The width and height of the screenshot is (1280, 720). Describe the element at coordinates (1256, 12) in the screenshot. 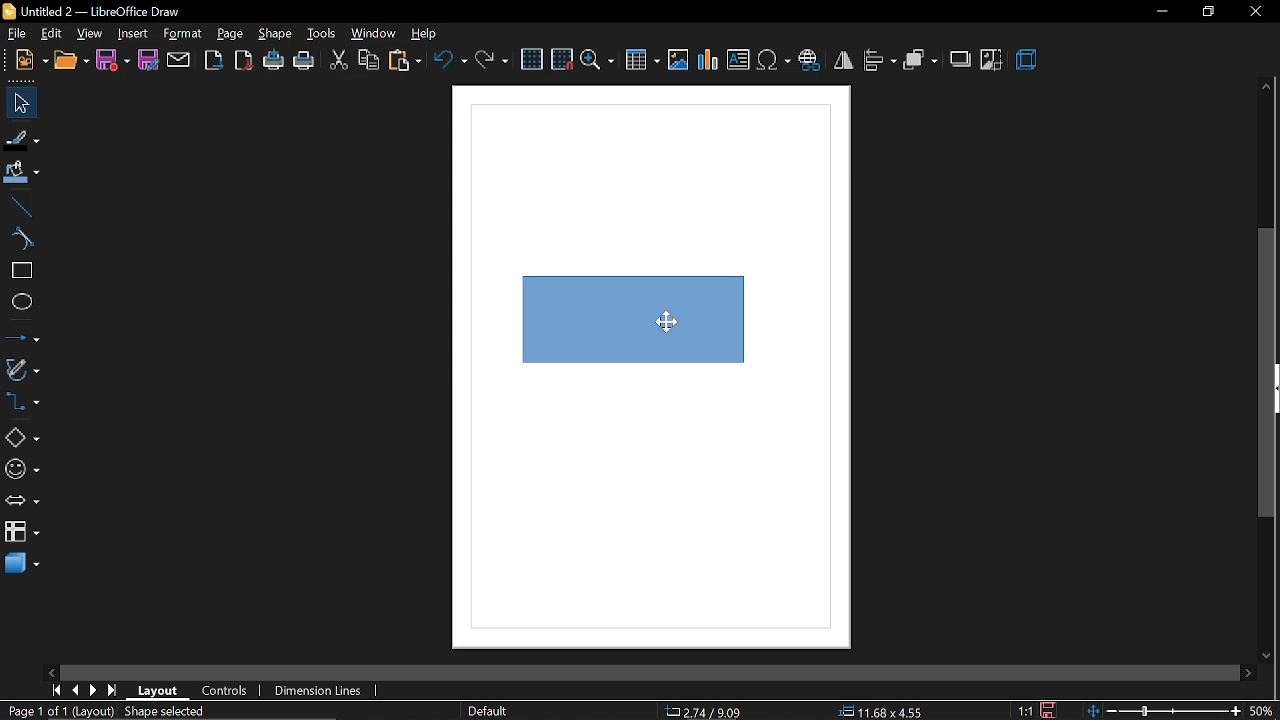

I see `close` at that location.